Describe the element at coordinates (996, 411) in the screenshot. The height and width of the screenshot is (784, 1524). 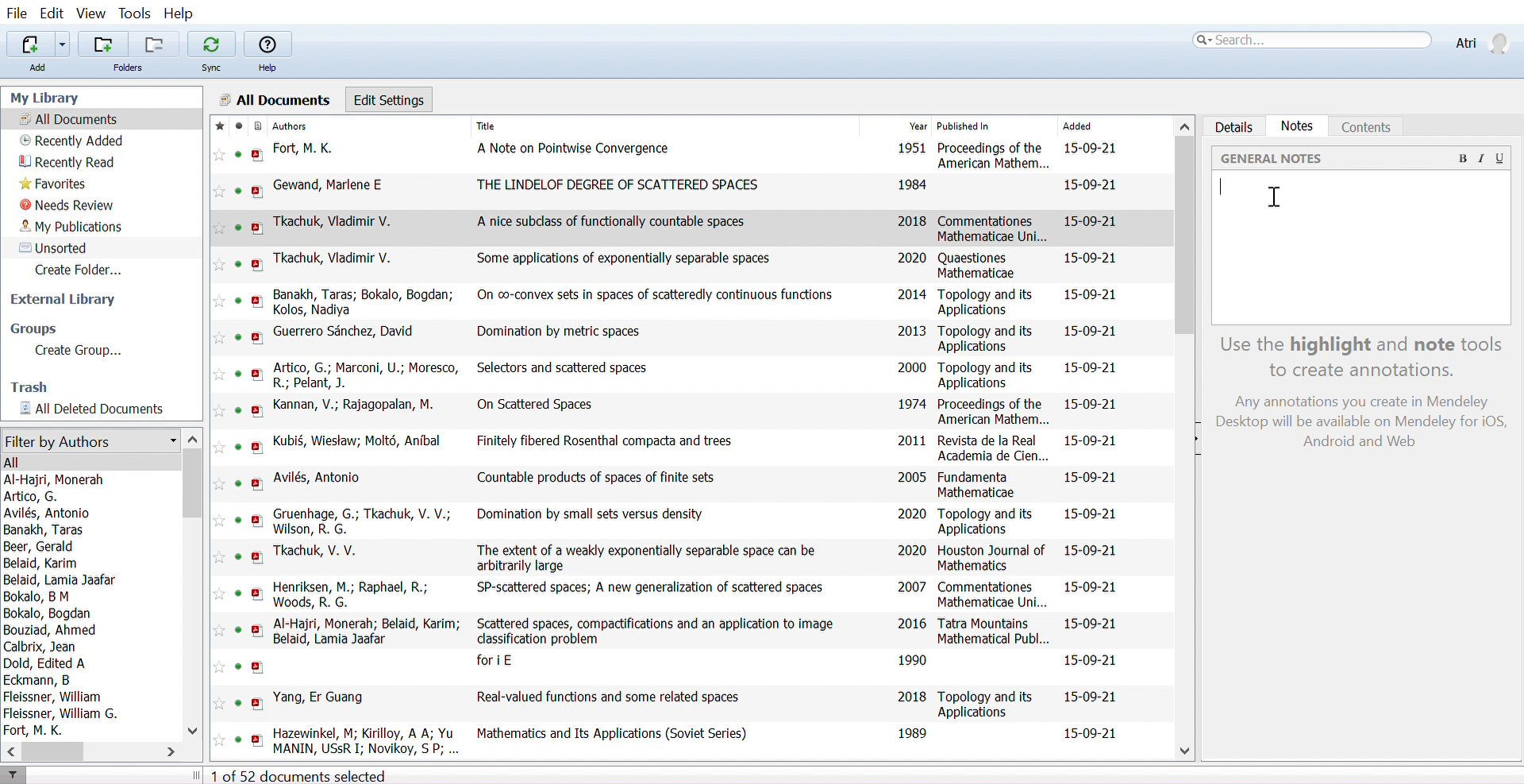
I see `Proceedings of the American Mathem...` at that location.